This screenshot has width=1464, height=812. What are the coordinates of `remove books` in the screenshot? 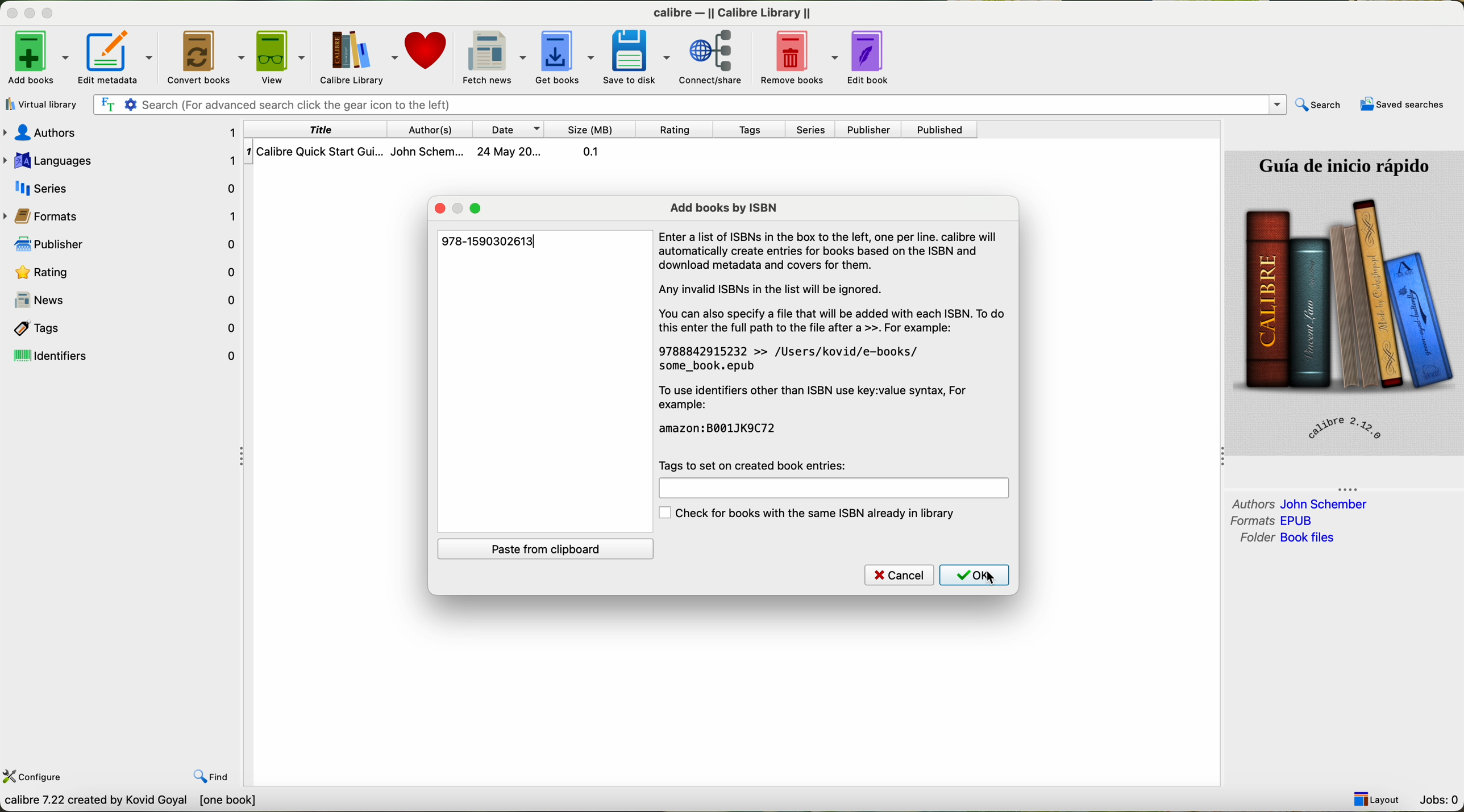 It's located at (795, 57).